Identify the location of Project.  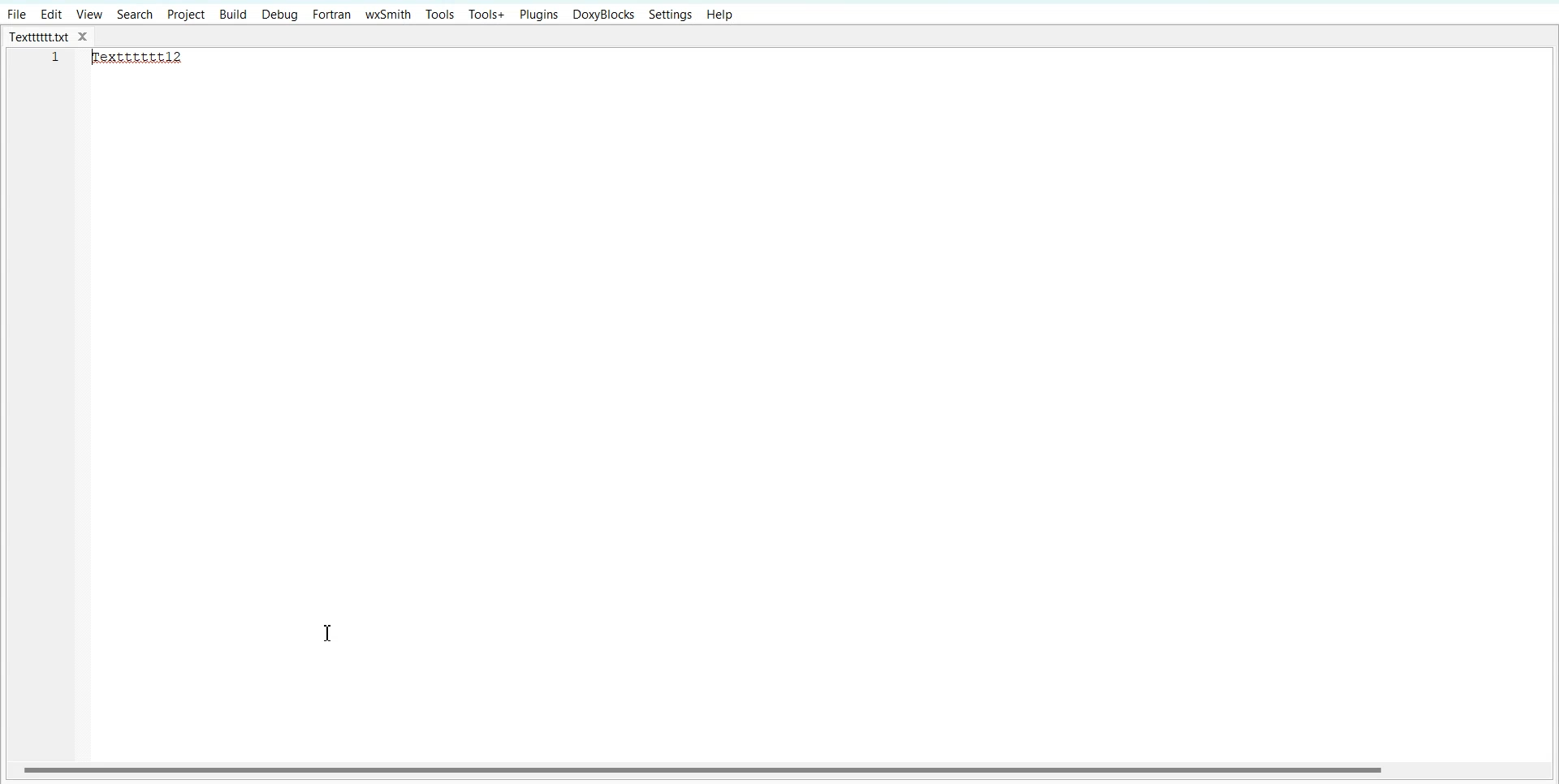
(185, 15).